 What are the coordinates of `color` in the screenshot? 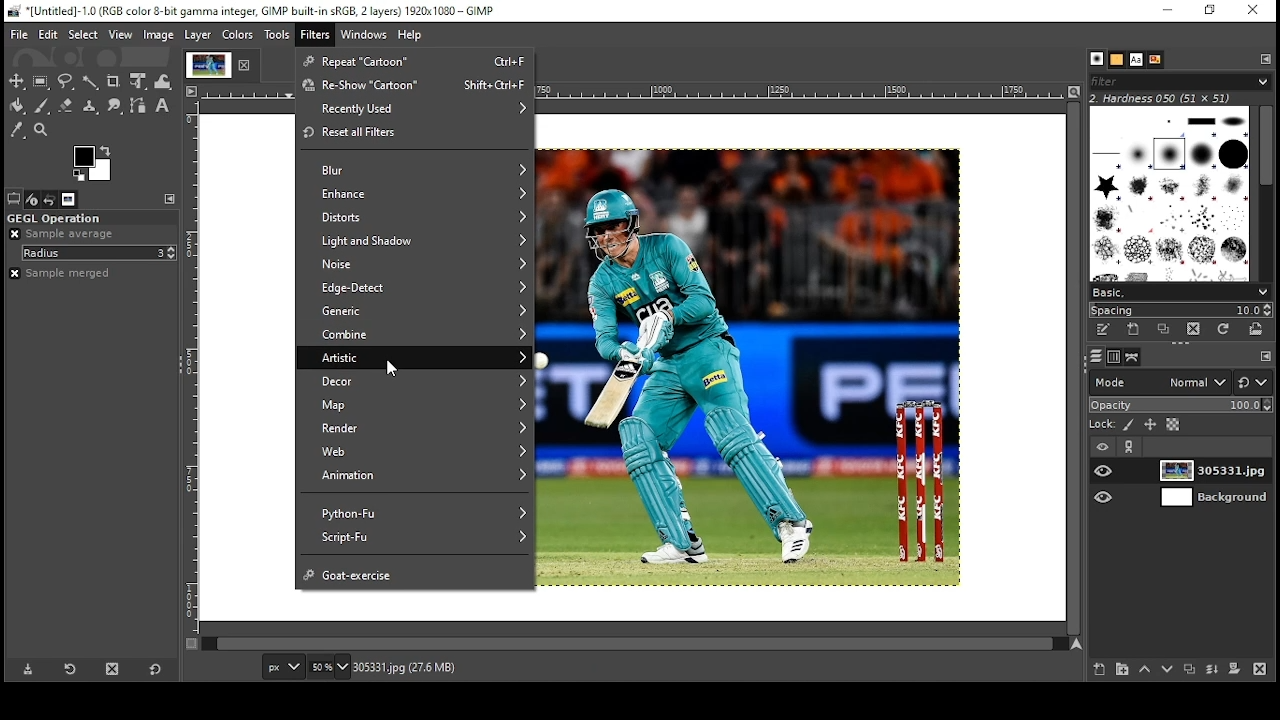 It's located at (92, 164).